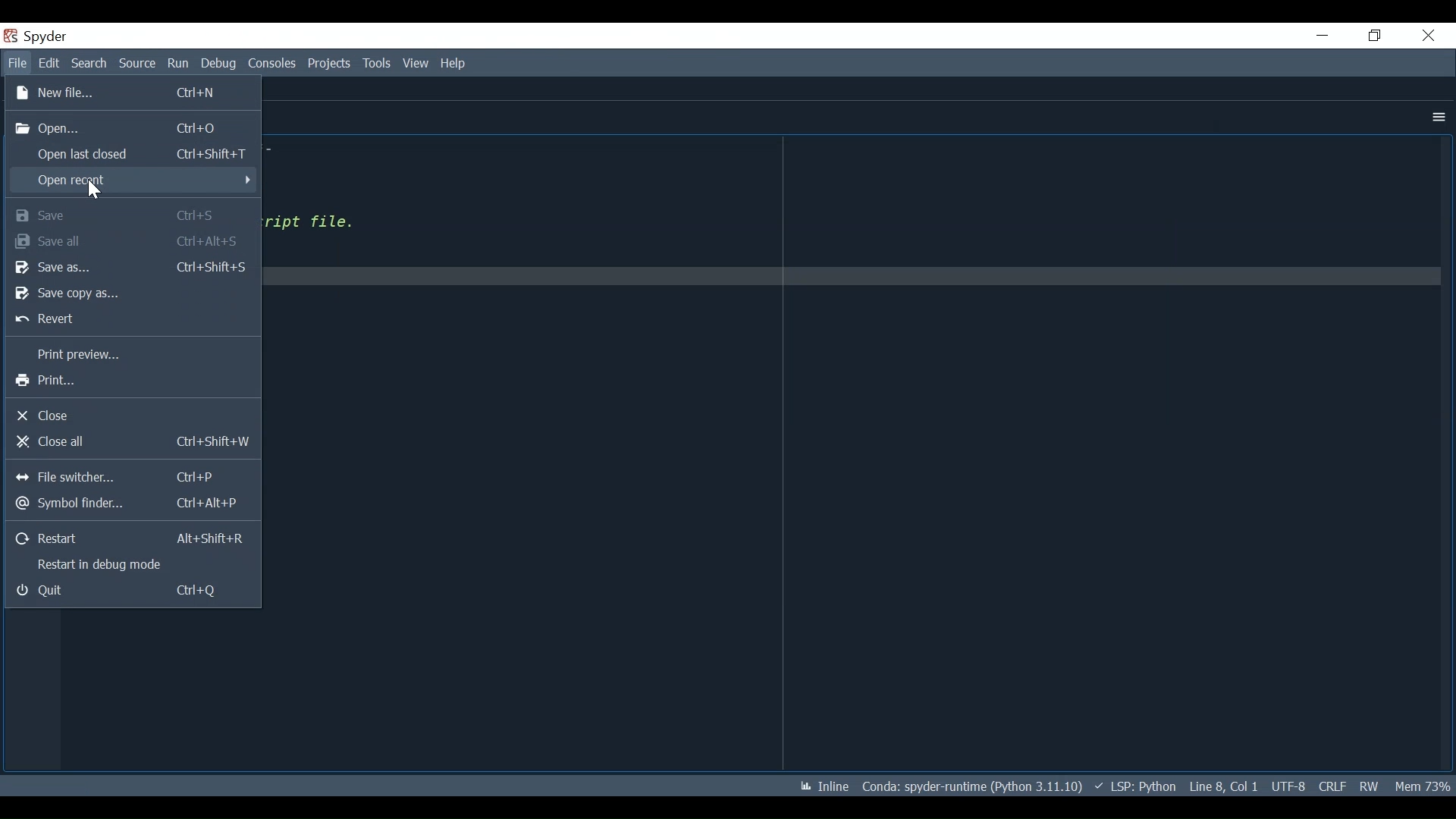  Describe the element at coordinates (1437, 119) in the screenshot. I see `More Options` at that location.